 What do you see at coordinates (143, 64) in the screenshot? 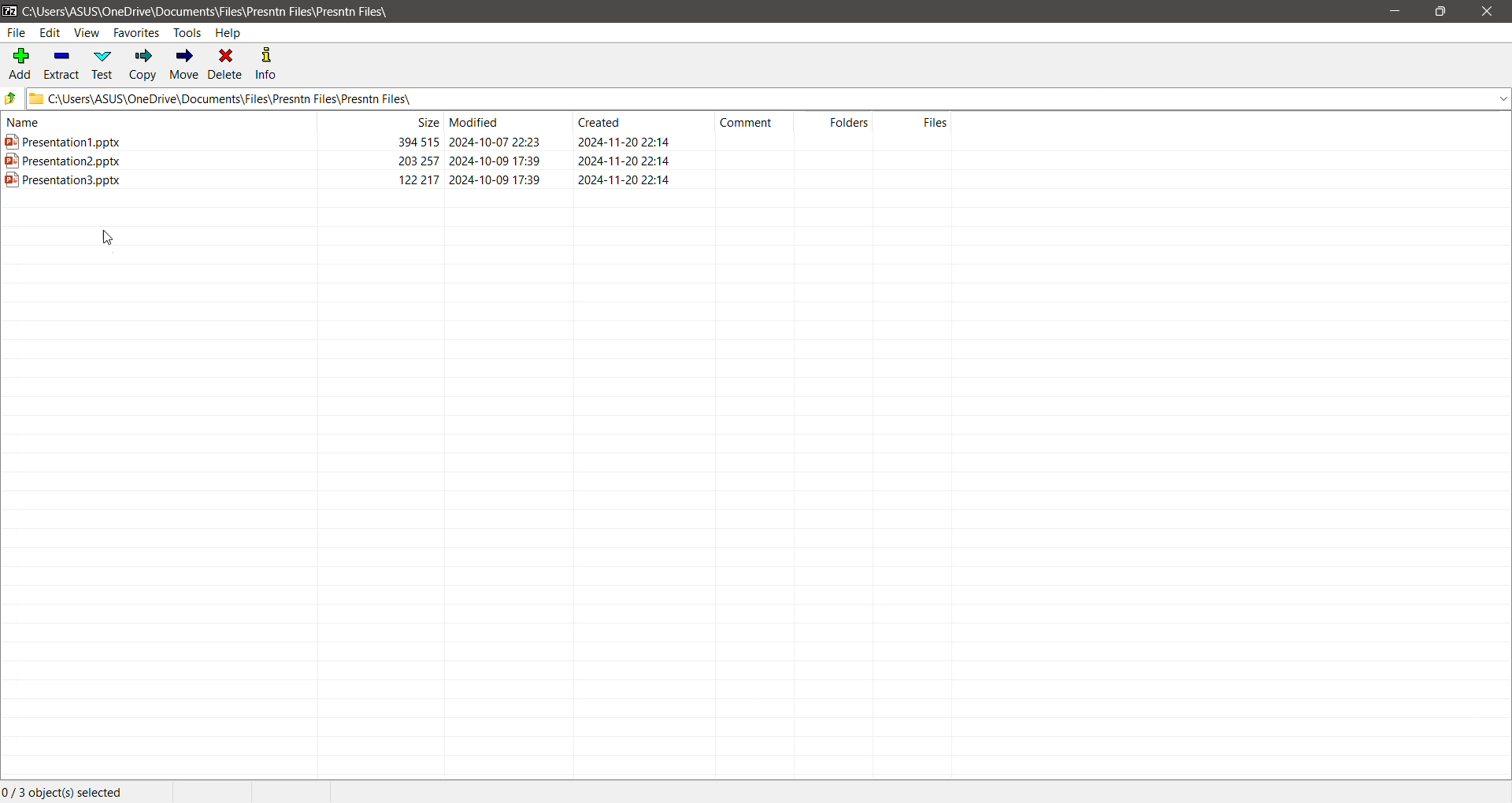
I see `Copy` at bounding box center [143, 64].